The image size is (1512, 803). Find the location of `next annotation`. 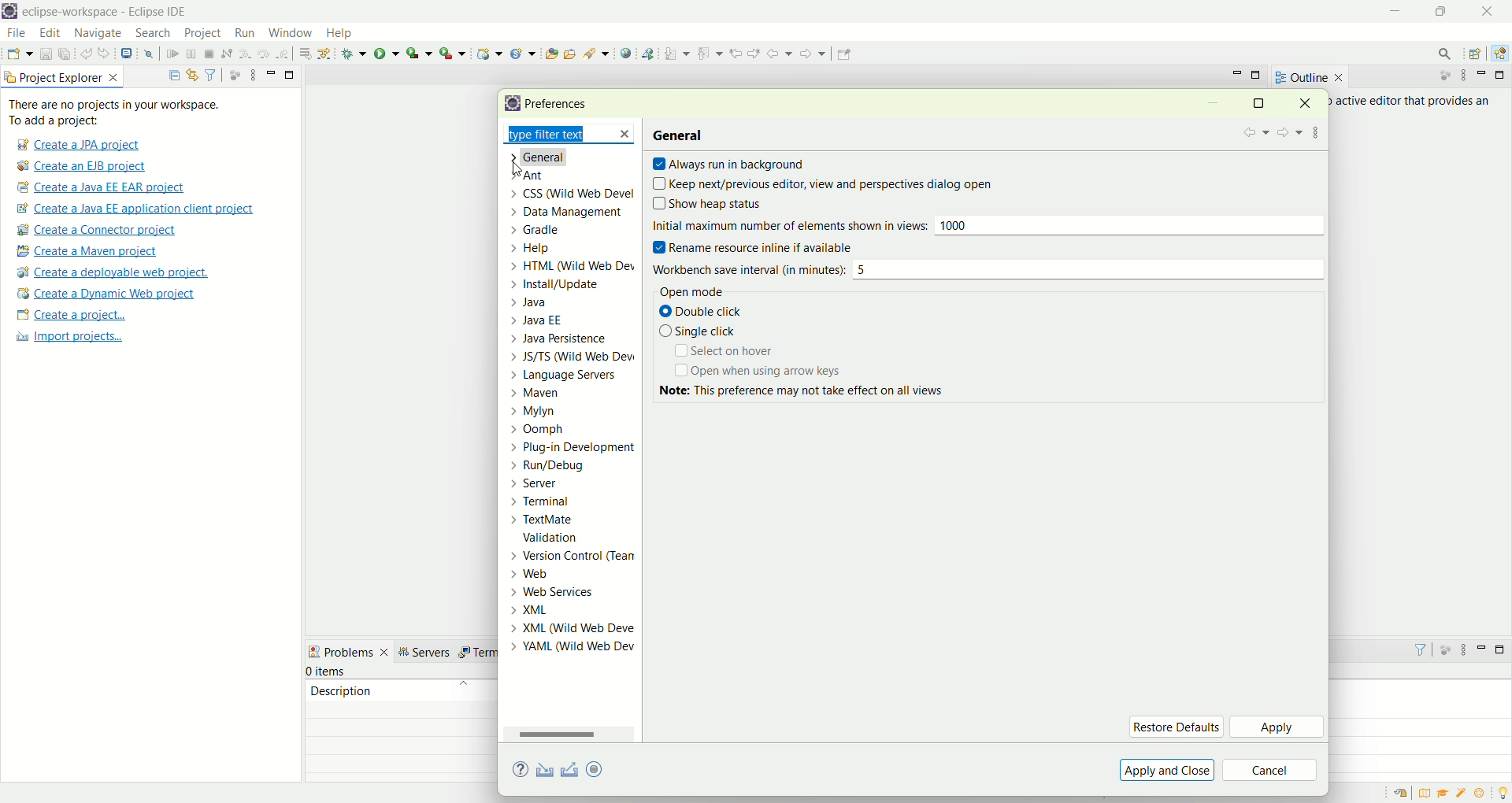

next annotation is located at coordinates (677, 53).